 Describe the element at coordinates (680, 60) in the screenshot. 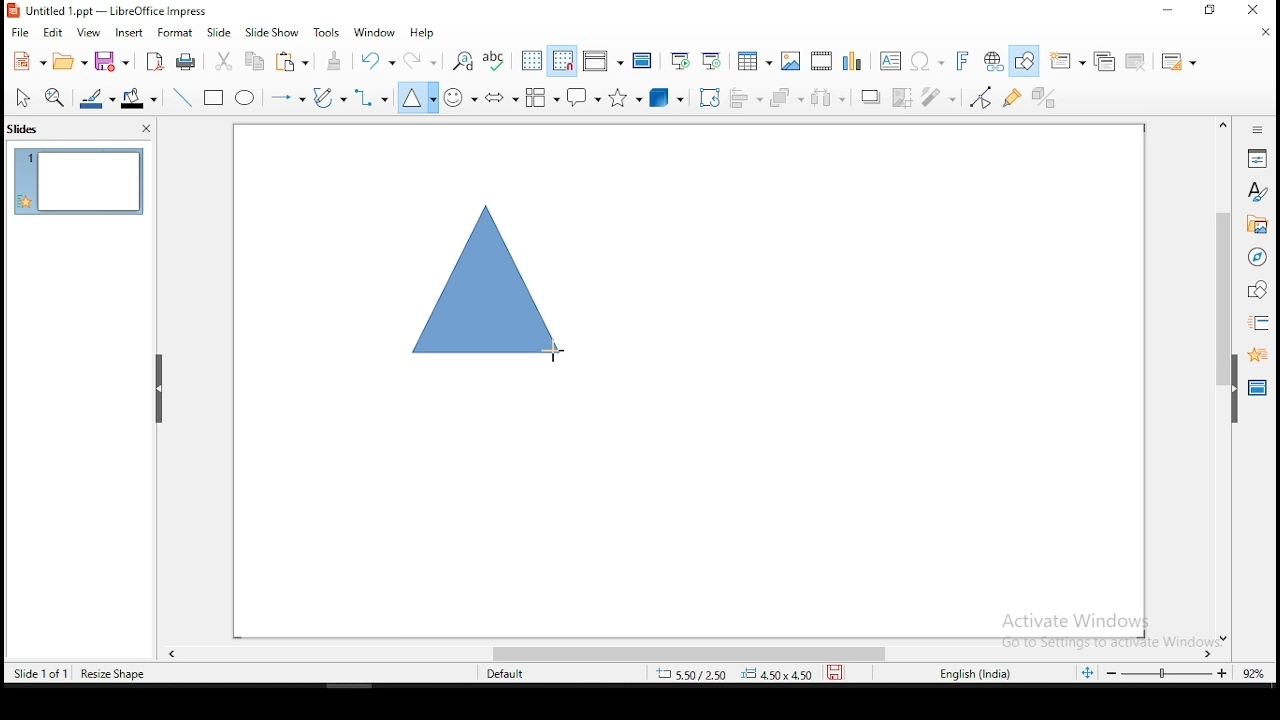

I see `start from first slide` at that location.